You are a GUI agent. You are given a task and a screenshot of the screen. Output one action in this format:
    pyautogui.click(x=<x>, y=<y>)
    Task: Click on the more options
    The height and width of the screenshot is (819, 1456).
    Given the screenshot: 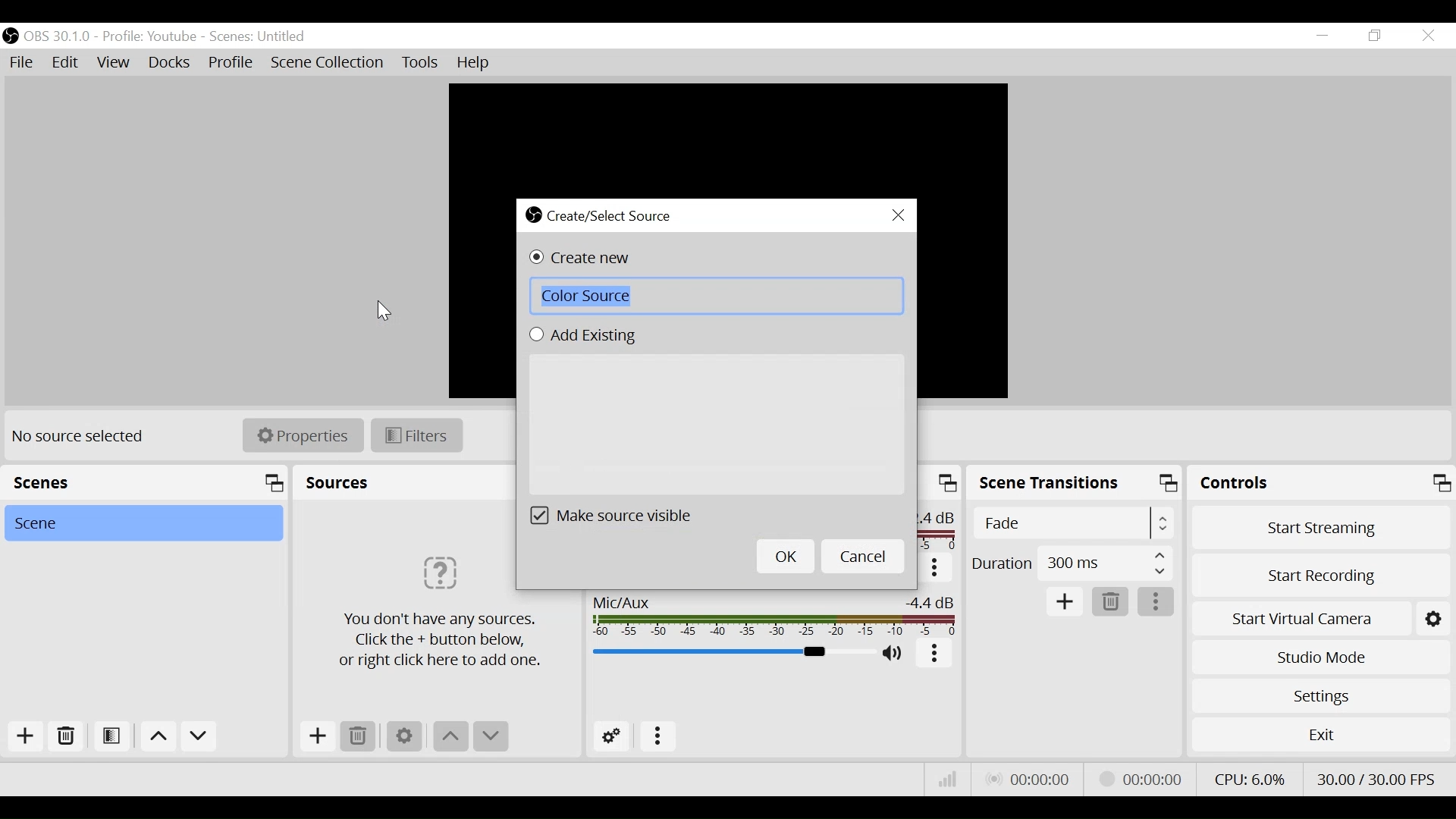 What is the action you would take?
    pyautogui.click(x=935, y=656)
    